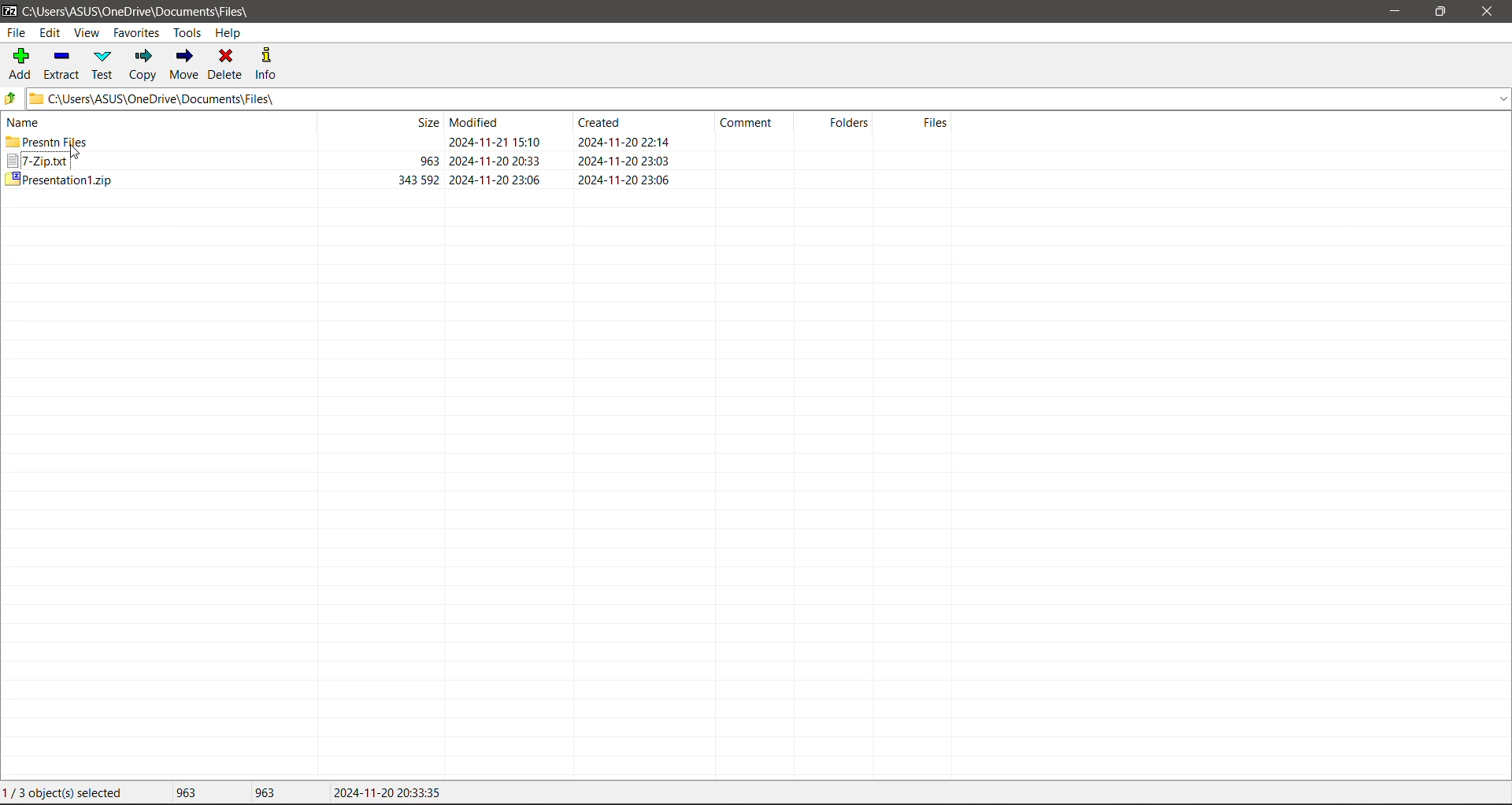 The image size is (1512, 805). I want to click on Files, so click(933, 120).